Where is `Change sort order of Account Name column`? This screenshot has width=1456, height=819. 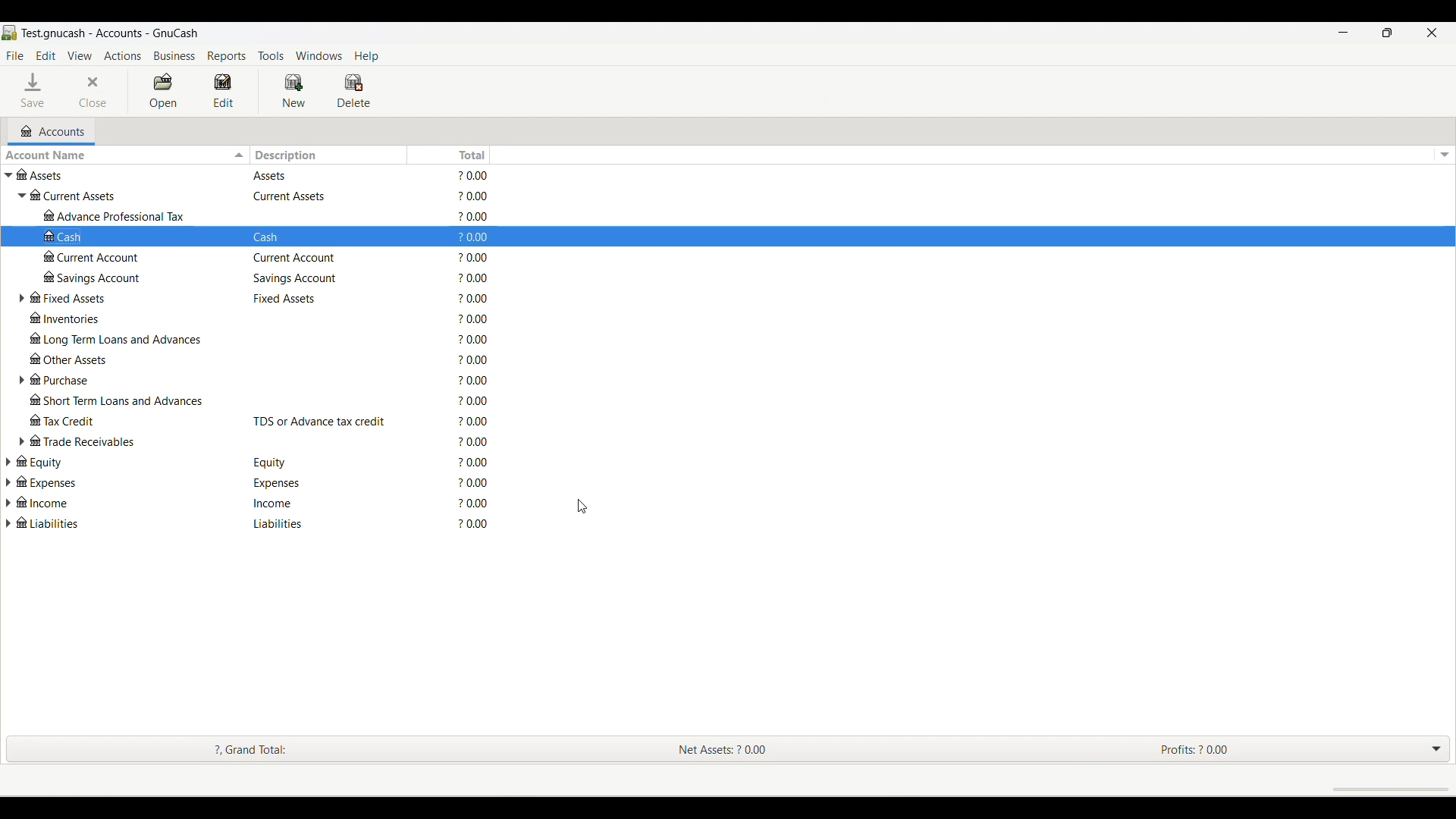
Change sort order of Account Name column is located at coordinates (125, 155).